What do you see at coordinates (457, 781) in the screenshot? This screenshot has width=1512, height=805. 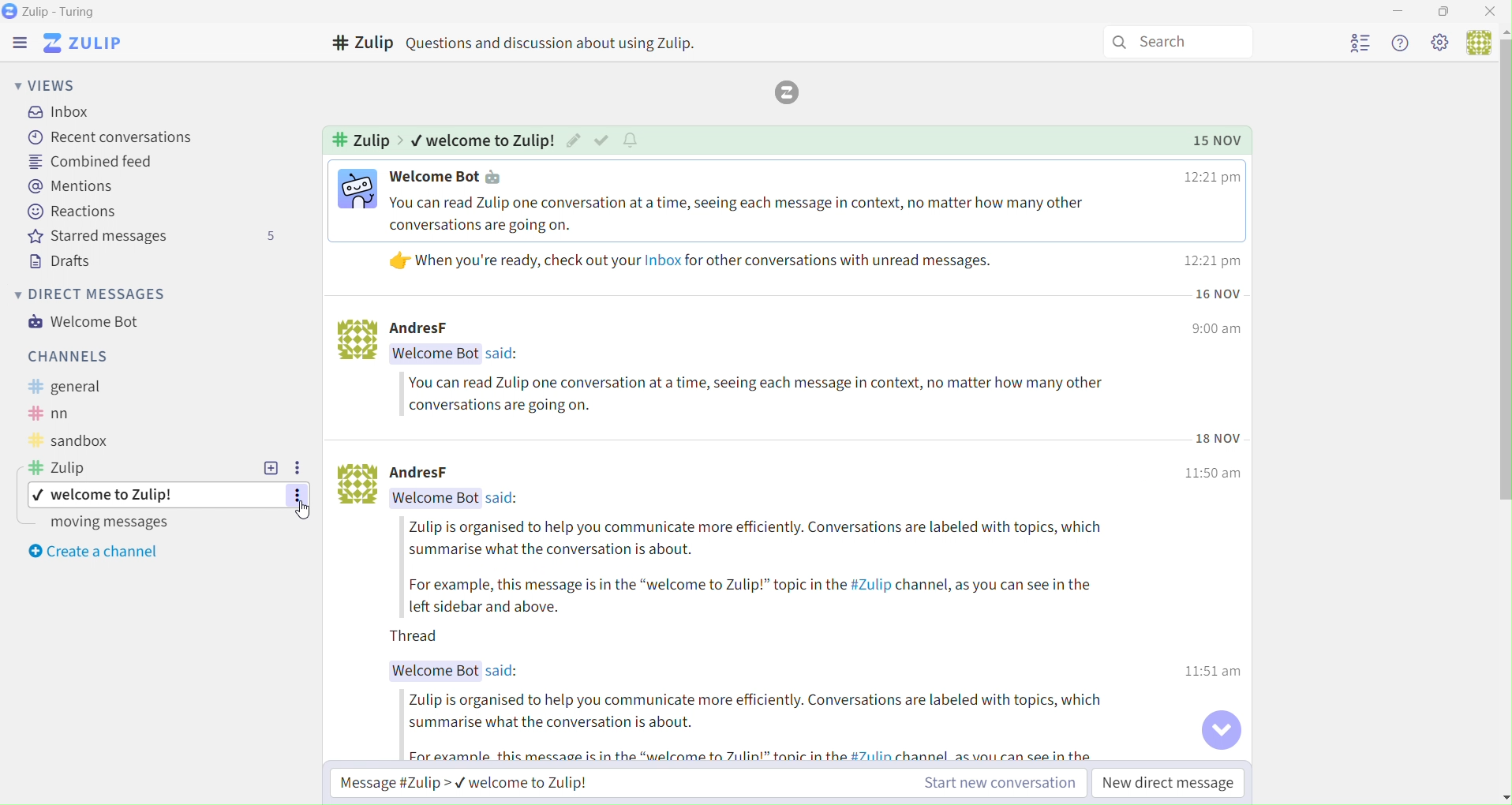 I see `Message Zulip` at bounding box center [457, 781].